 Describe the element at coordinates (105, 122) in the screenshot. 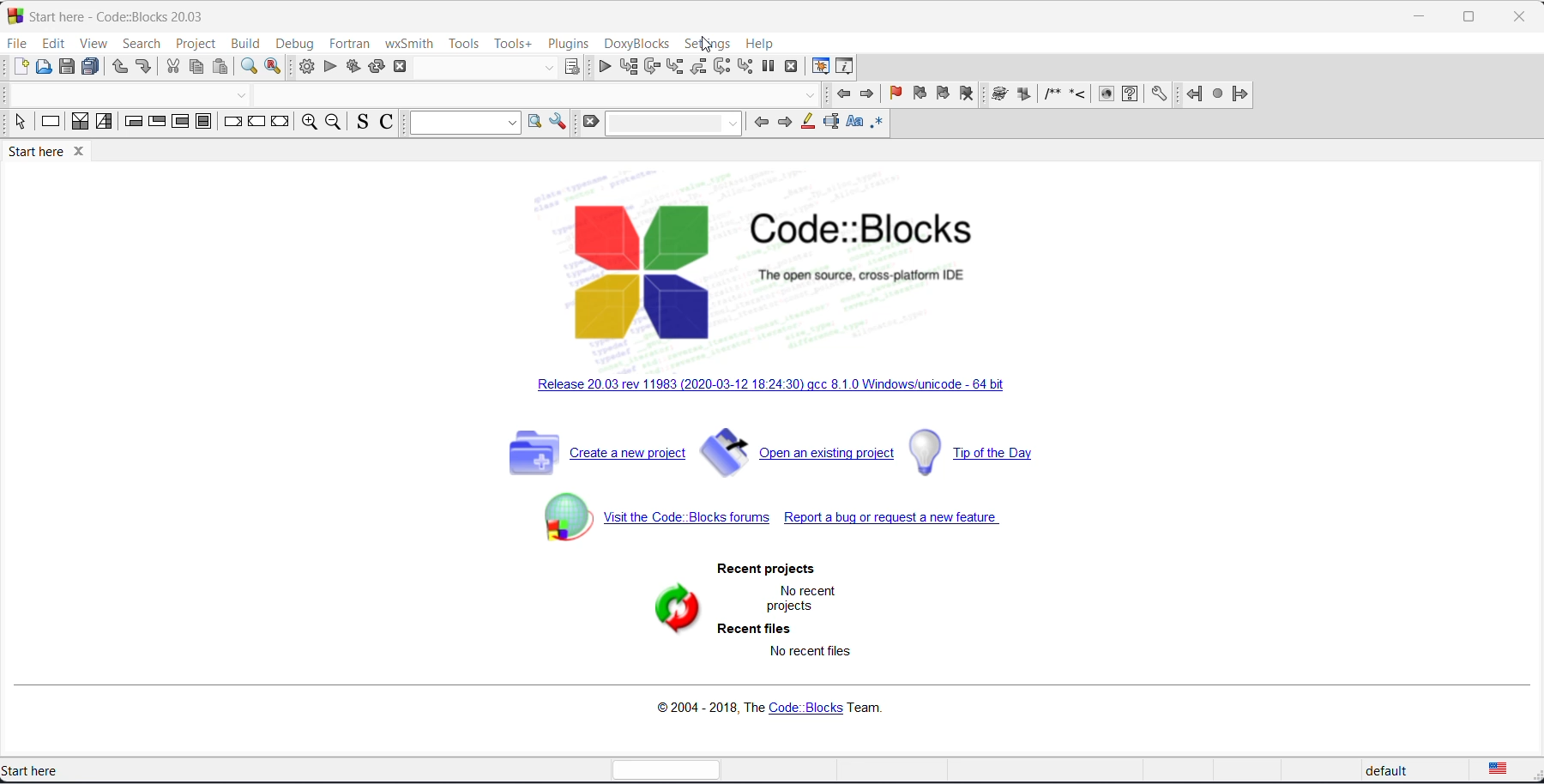

I see `selection` at that location.